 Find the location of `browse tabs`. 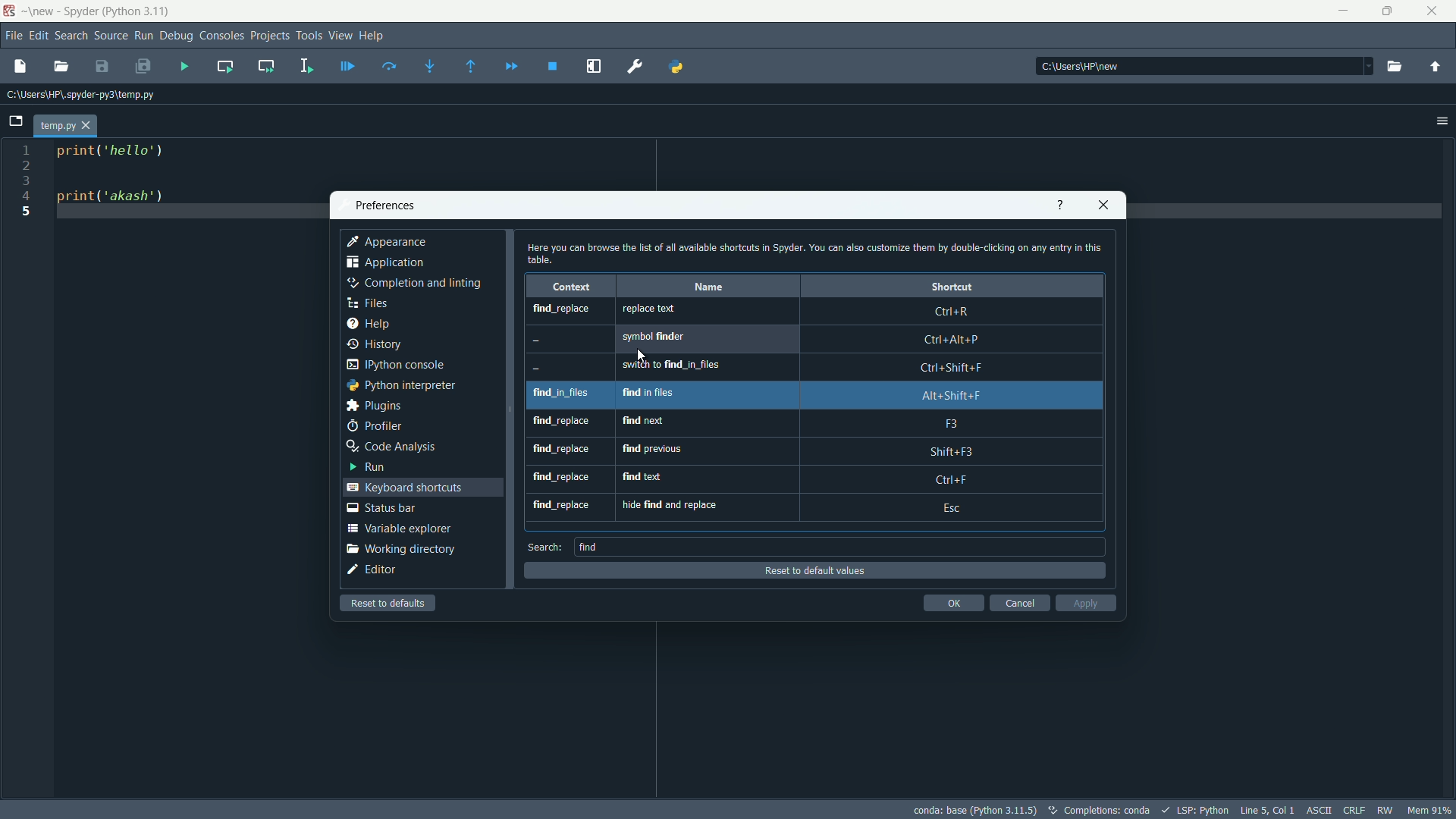

browse tabs is located at coordinates (14, 122).